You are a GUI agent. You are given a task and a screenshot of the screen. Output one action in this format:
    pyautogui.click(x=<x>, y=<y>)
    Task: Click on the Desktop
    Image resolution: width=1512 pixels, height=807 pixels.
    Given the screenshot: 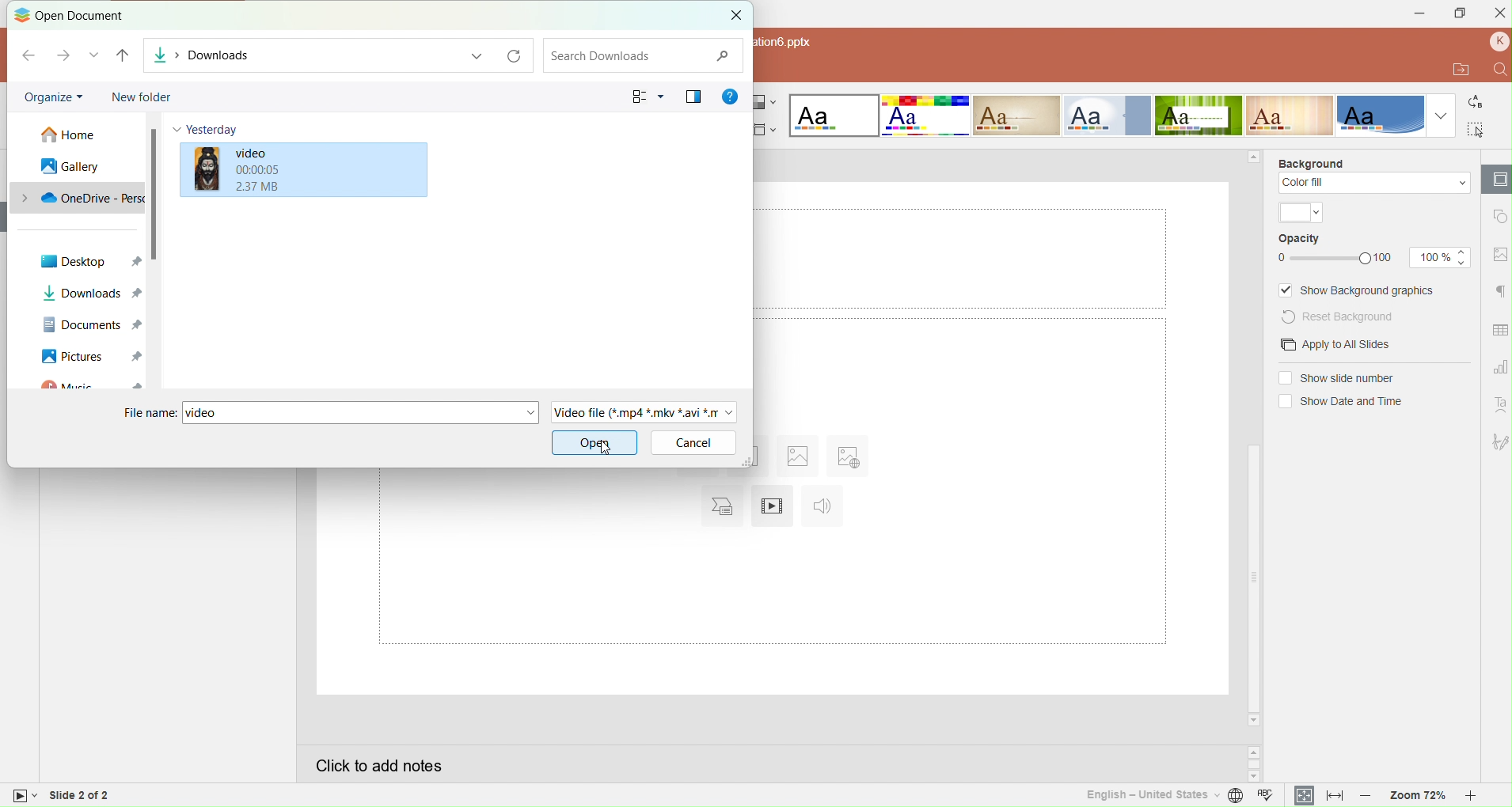 What is the action you would take?
    pyautogui.click(x=89, y=261)
    